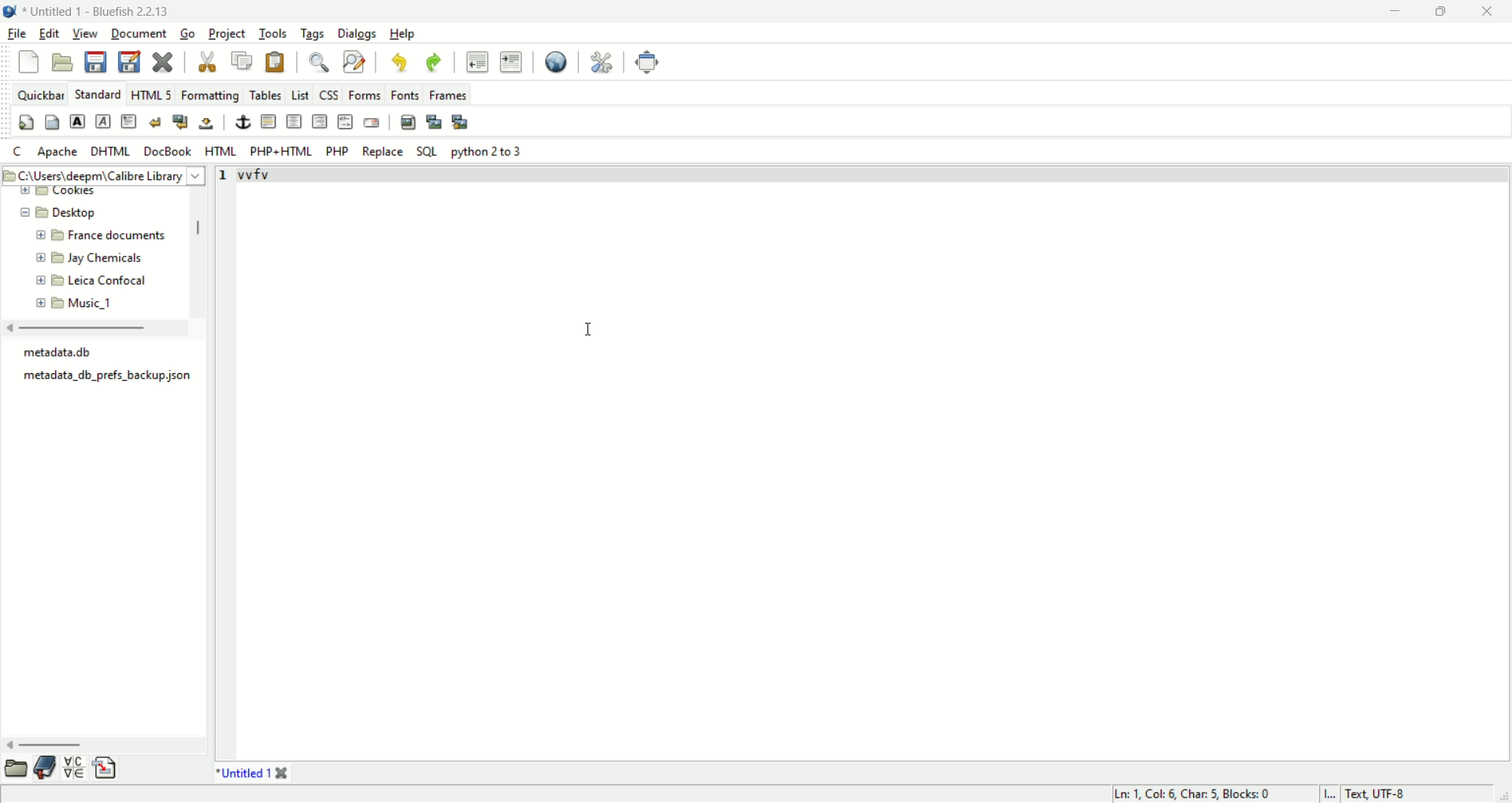 This screenshot has height=803, width=1512. Describe the element at coordinates (252, 773) in the screenshot. I see `*Untitled 1` at that location.